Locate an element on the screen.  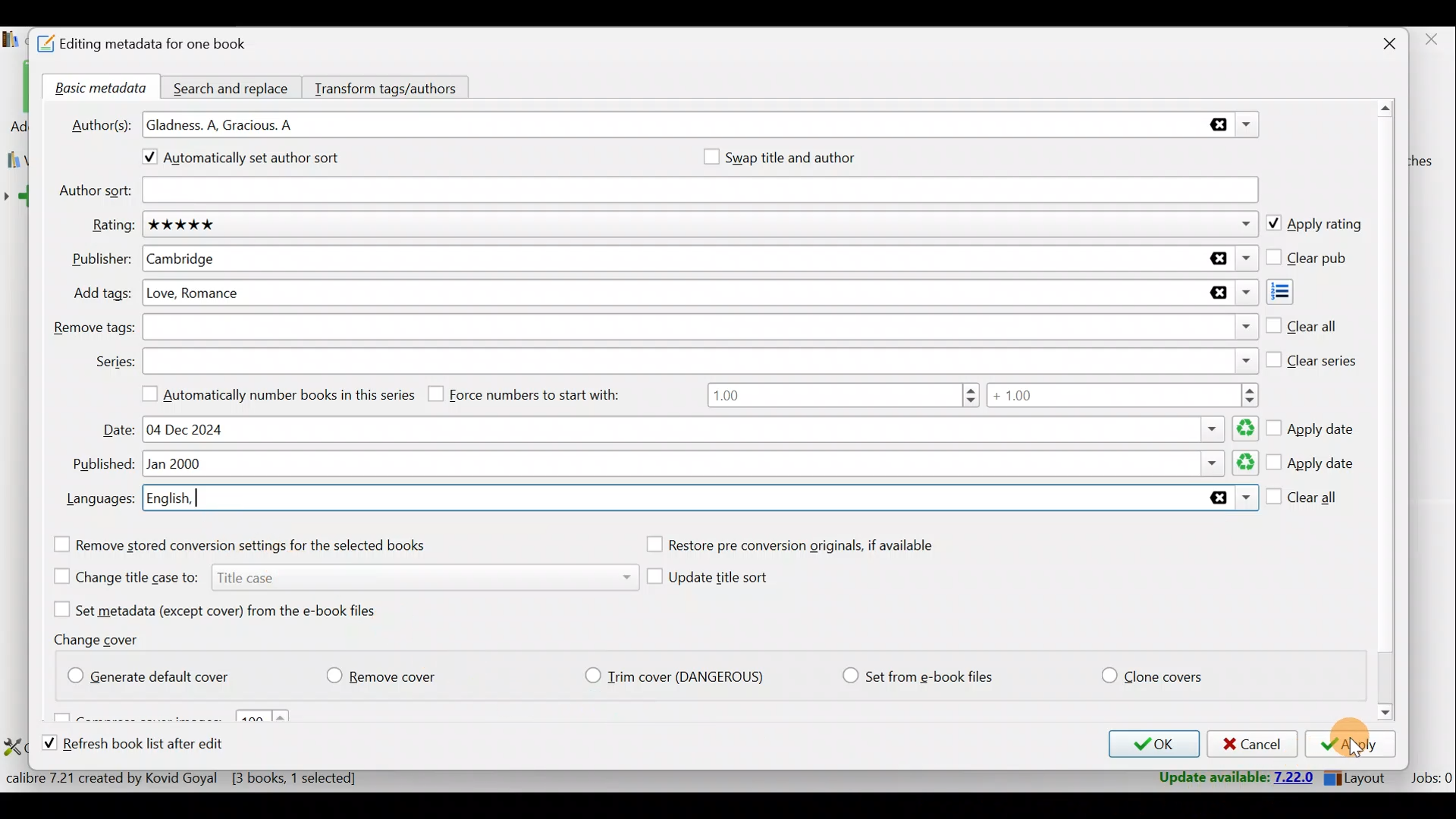
Basic metadata is located at coordinates (96, 89).